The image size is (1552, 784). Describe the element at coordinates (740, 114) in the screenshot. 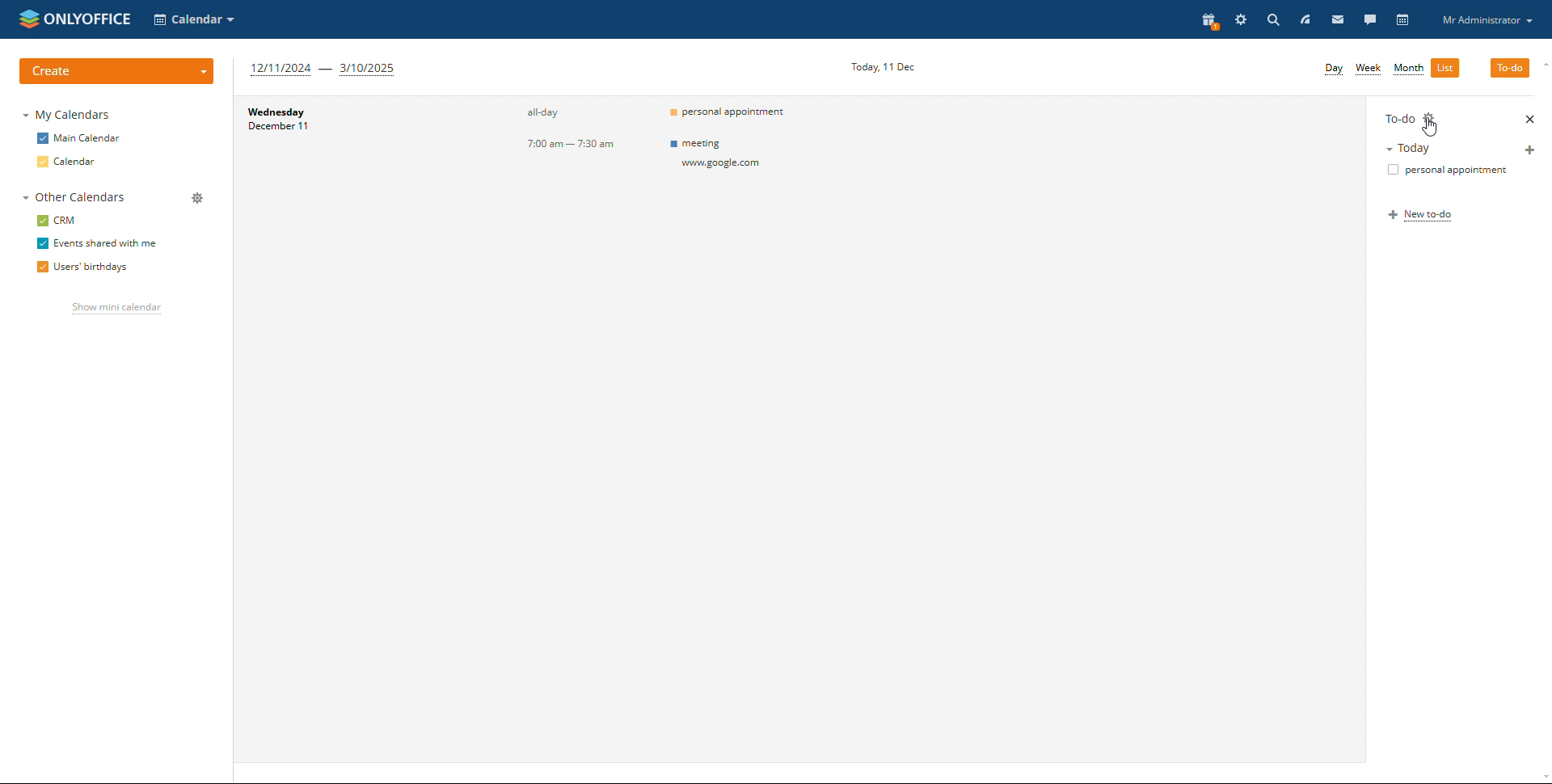

I see `events` at that location.